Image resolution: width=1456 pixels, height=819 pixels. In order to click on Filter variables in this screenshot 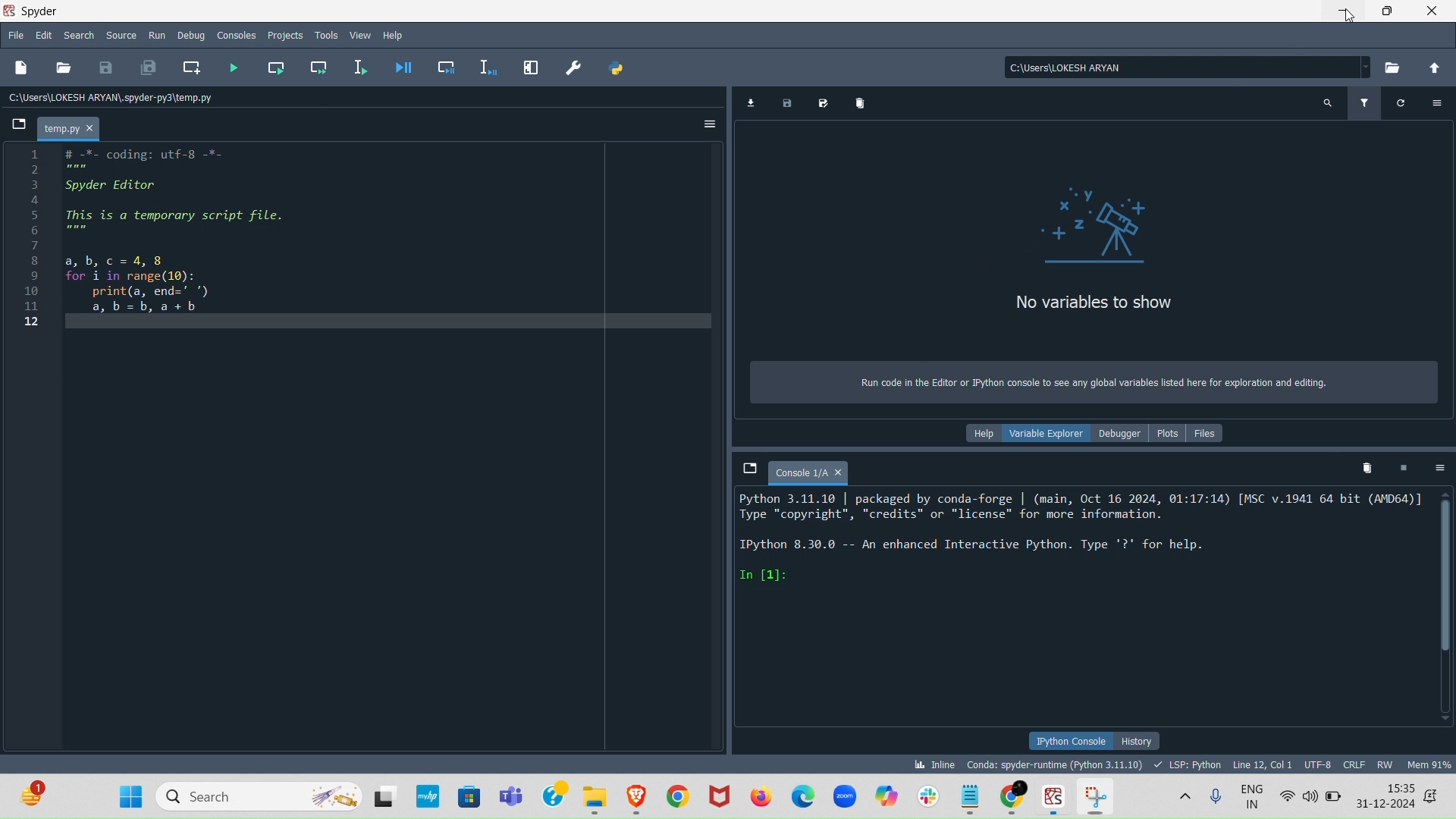, I will do `click(1402, 100)`.